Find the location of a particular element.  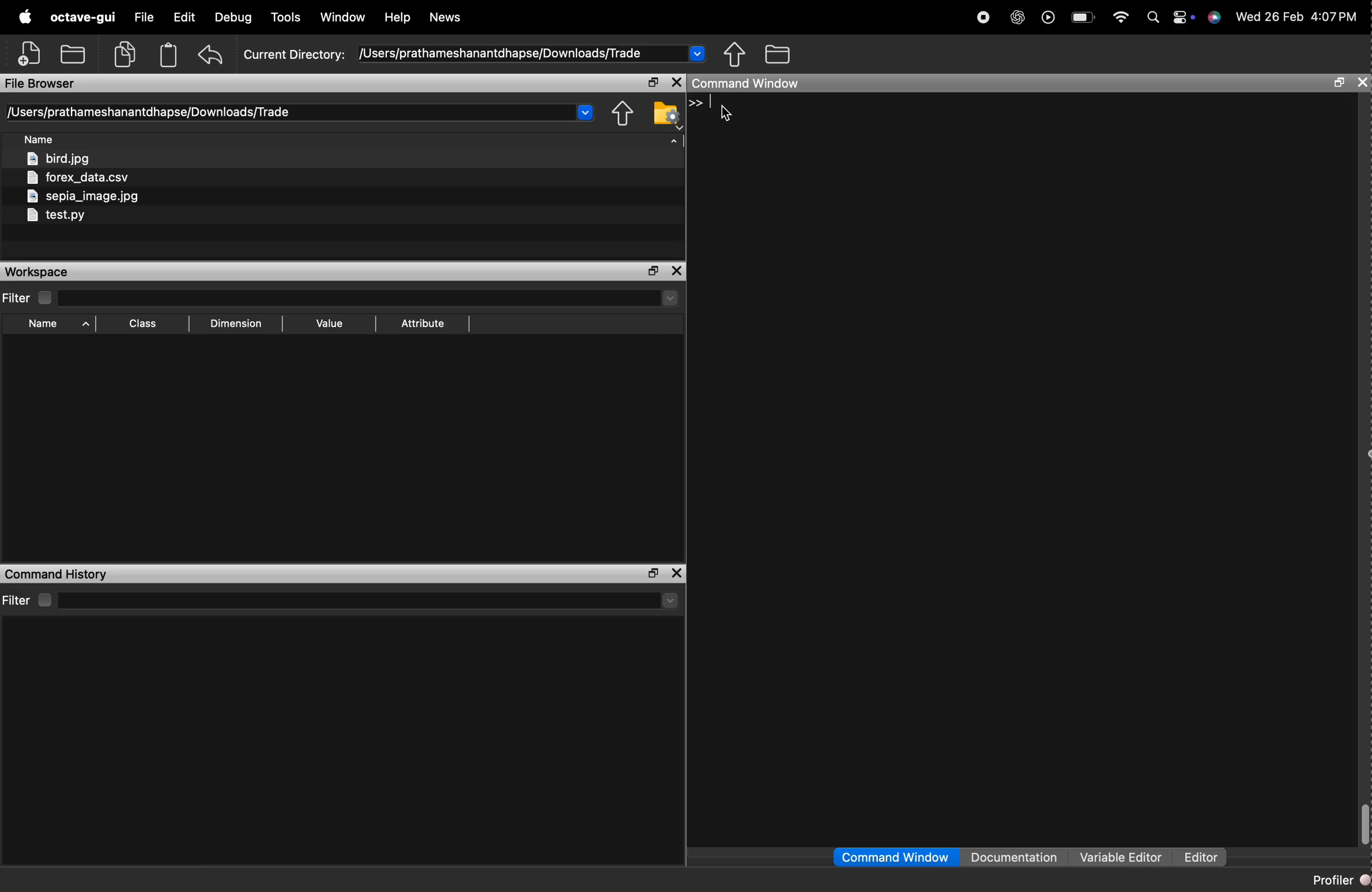

search is located at coordinates (1155, 18).